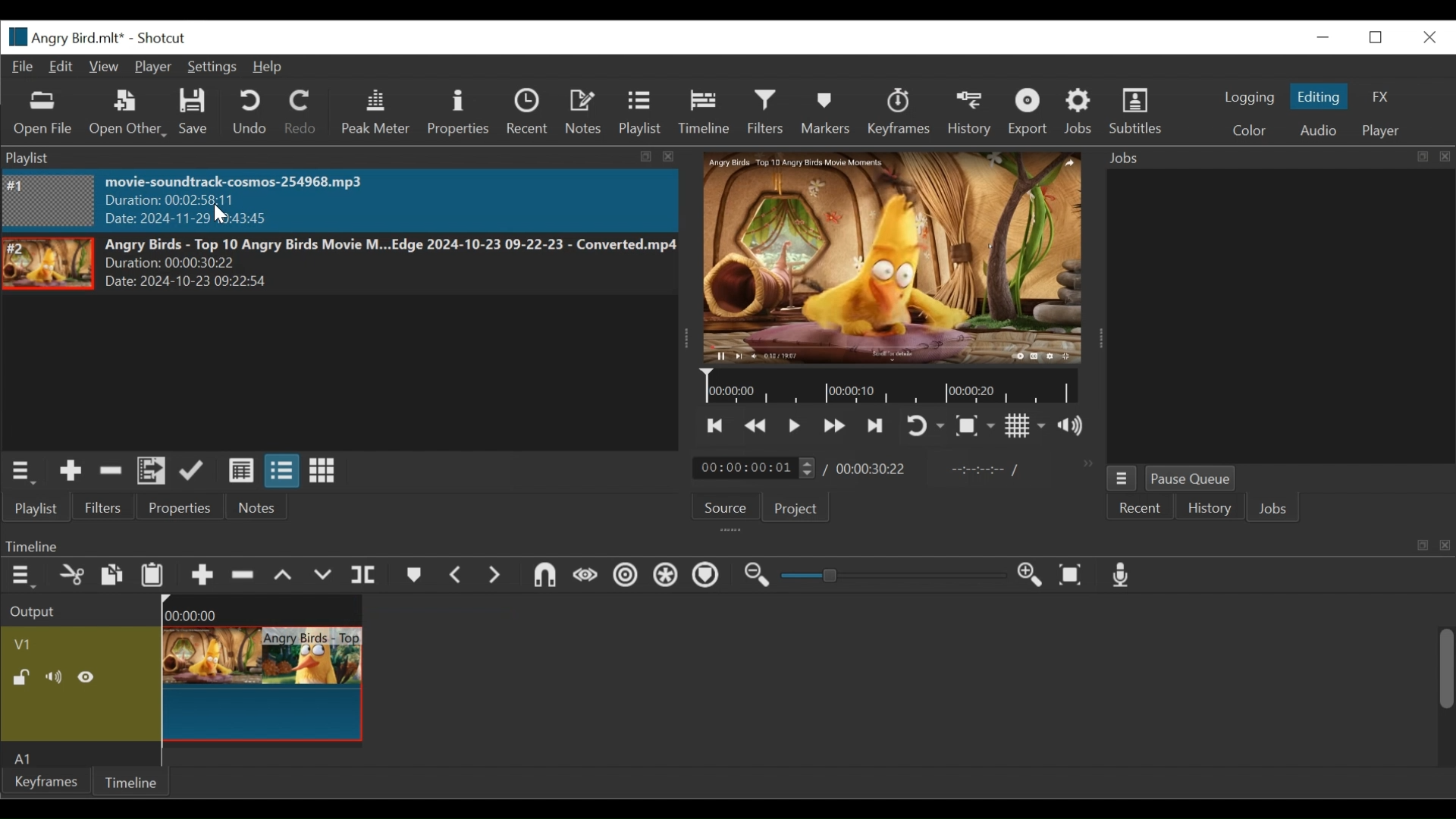 The height and width of the screenshot is (819, 1456). I want to click on 00:00:30:22(Total Duration), so click(868, 469).